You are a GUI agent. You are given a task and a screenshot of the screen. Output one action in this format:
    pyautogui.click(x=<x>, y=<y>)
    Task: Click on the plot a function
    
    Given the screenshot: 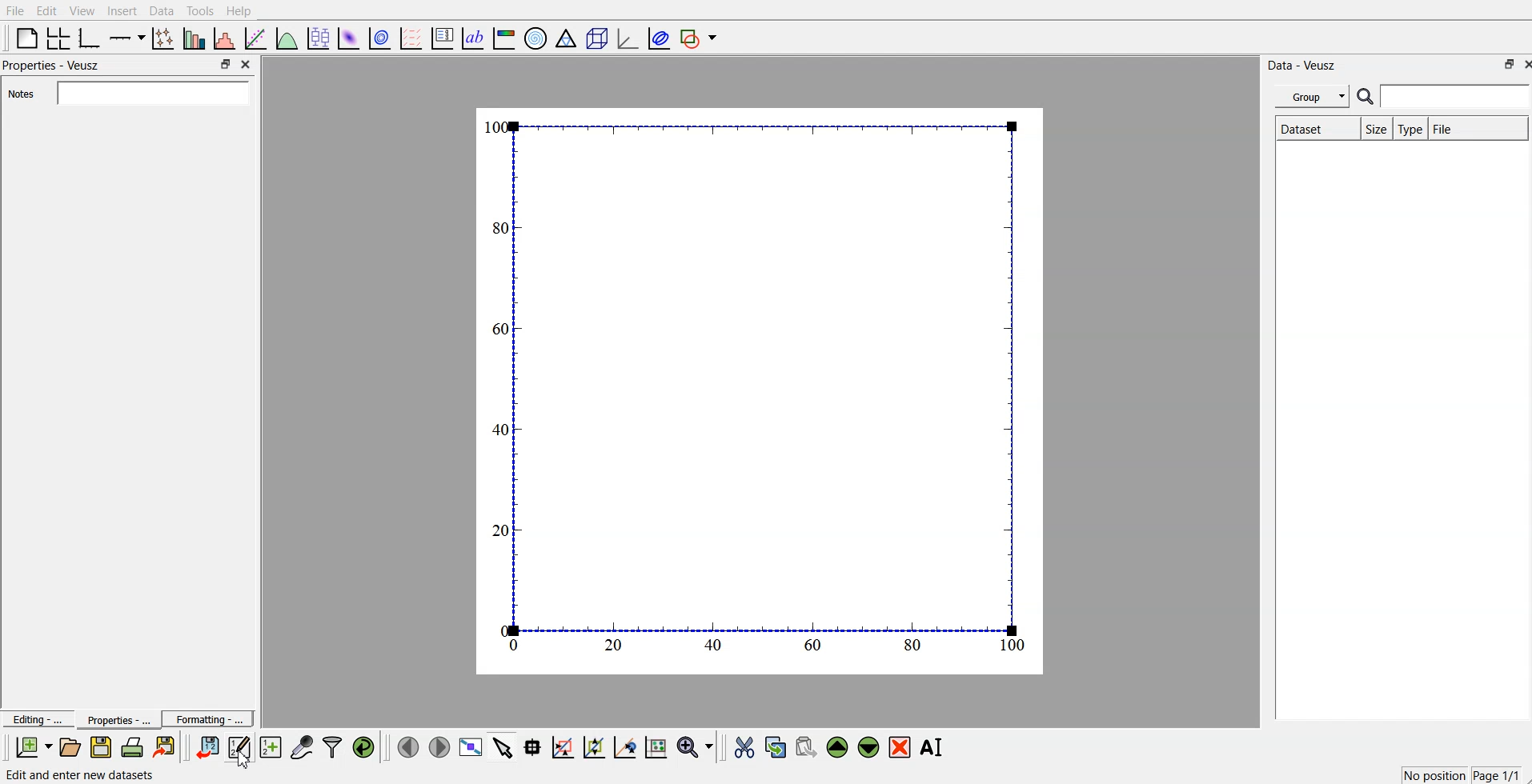 What is the action you would take?
    pyautogui.click(x=287, y=38)
    